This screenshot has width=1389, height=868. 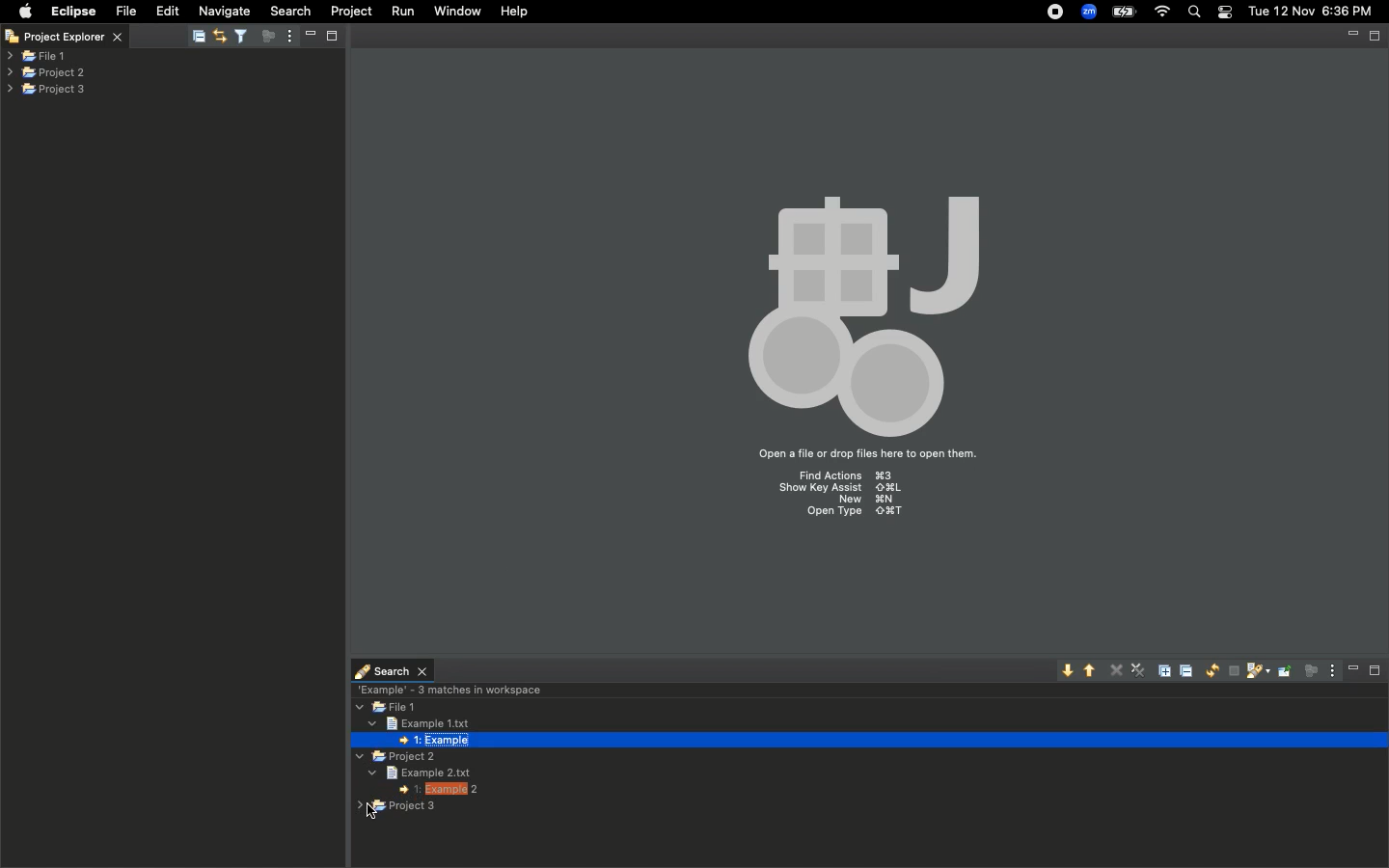 What do you see at coordinates (25, 11) in the screenshot?
I see `Apple logo` at bounding box center [25, 11].